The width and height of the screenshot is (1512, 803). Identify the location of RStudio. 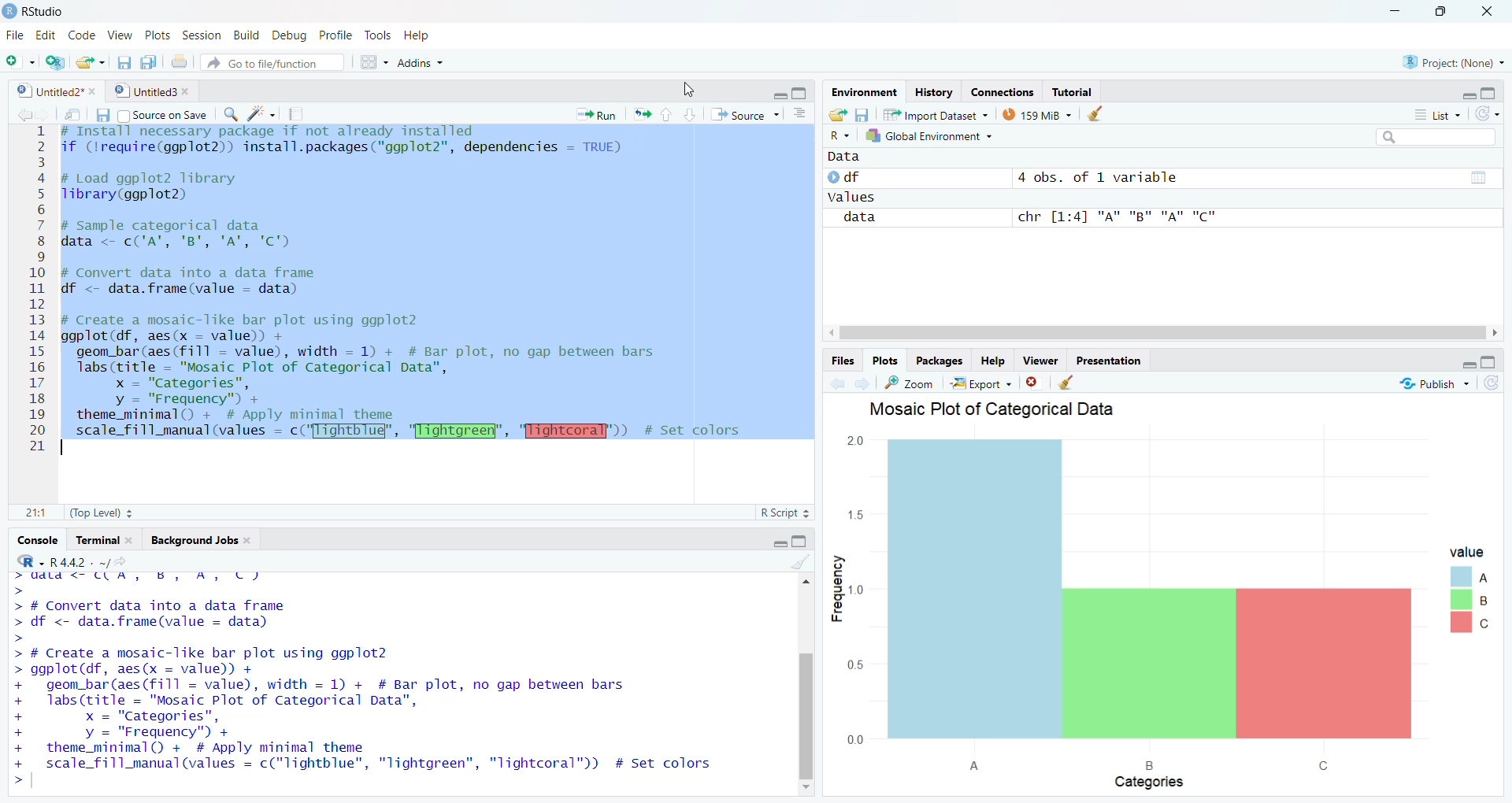
(38, 12).